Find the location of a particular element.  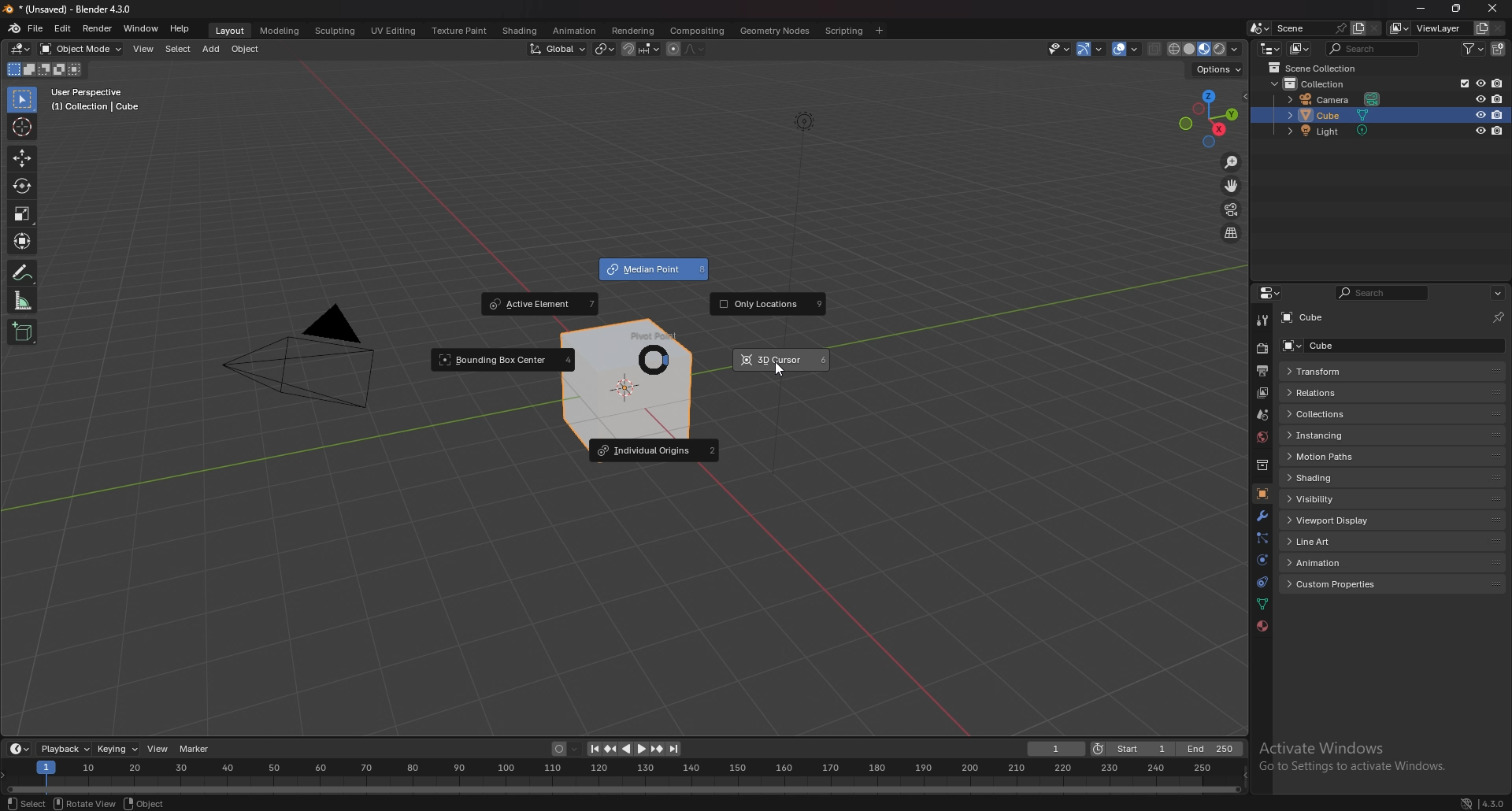

instancing is located at coordinates (1339, 436).